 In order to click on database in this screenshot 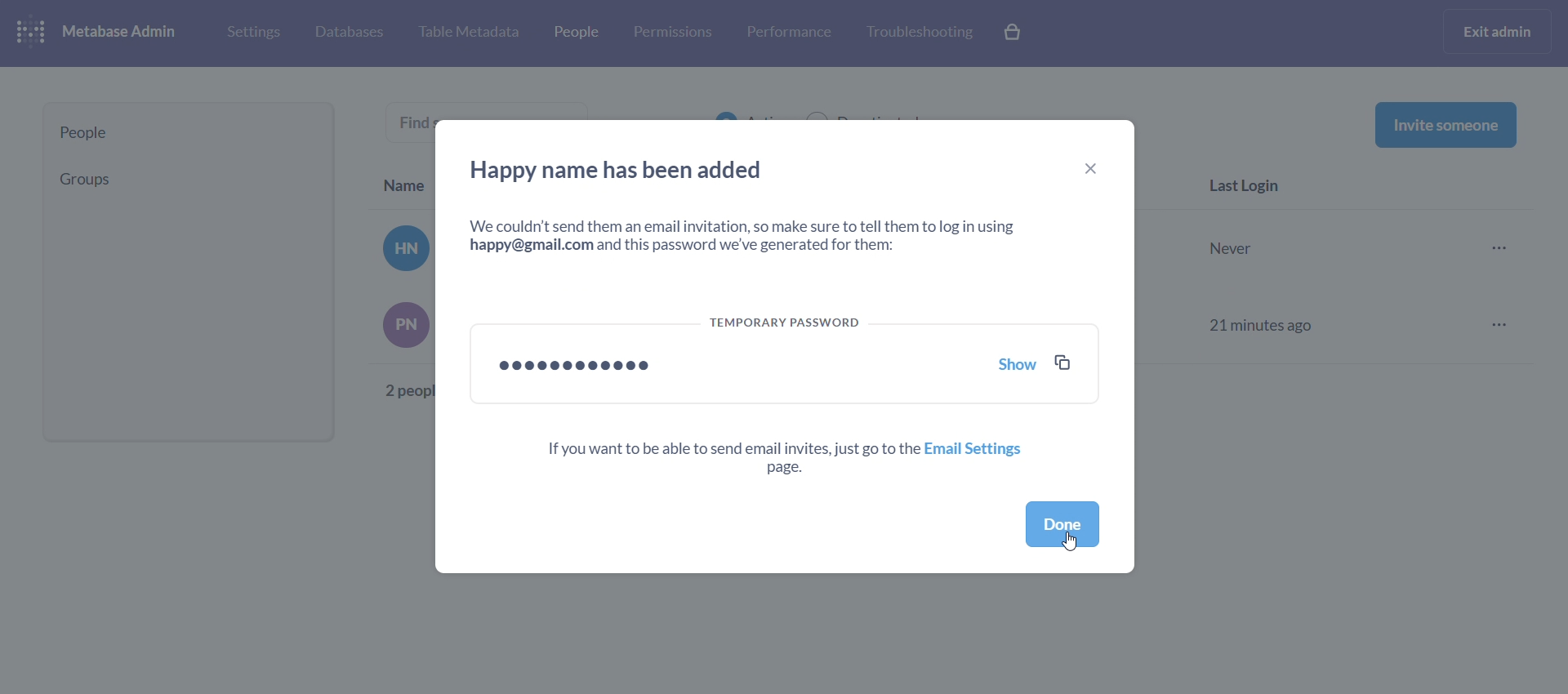, I will do `click(346, 33)`.